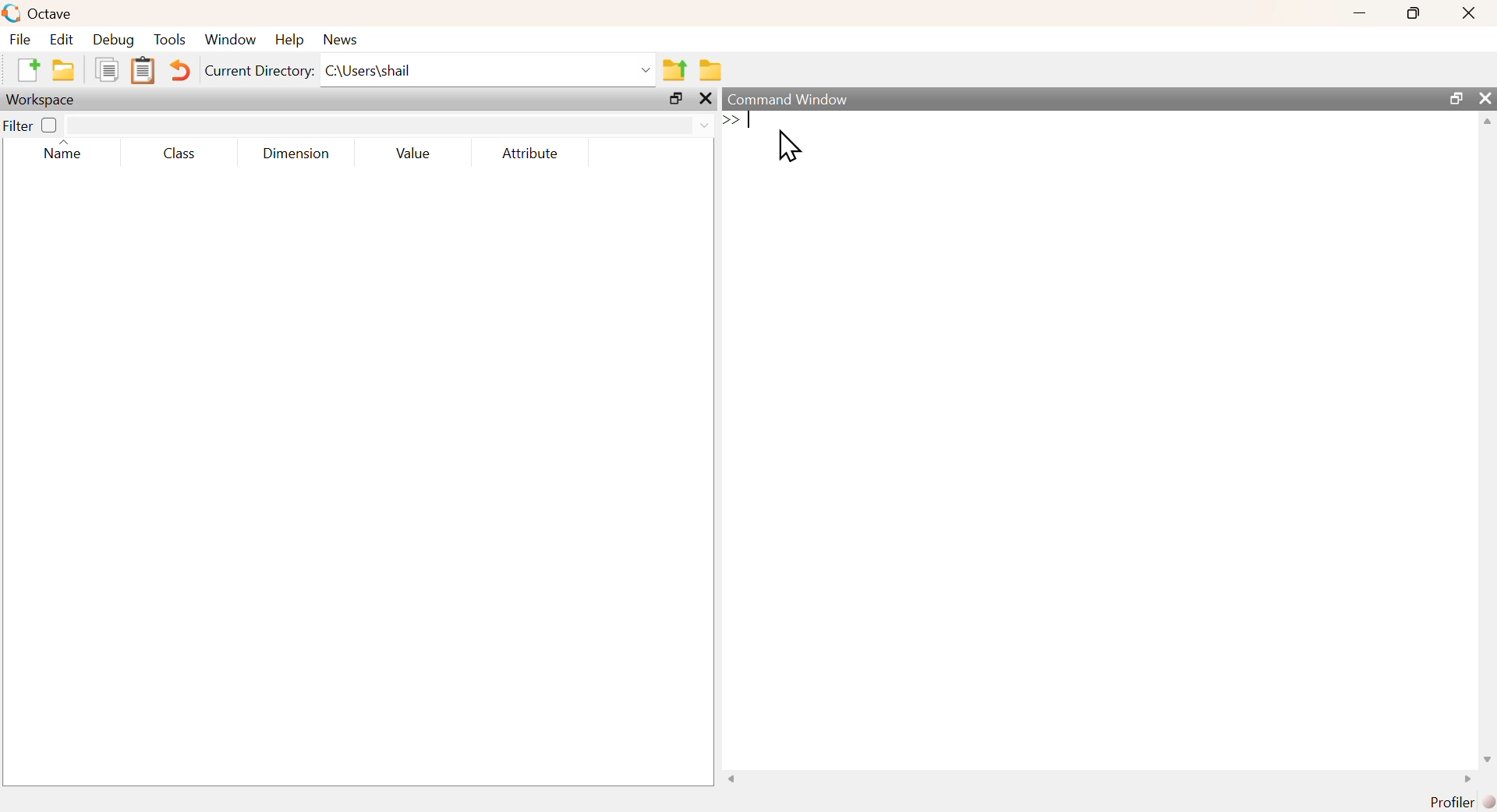  What do you see at coordinates (675, 99) in the screenshot?
I see `maximize` at bounding box center [675, 99].